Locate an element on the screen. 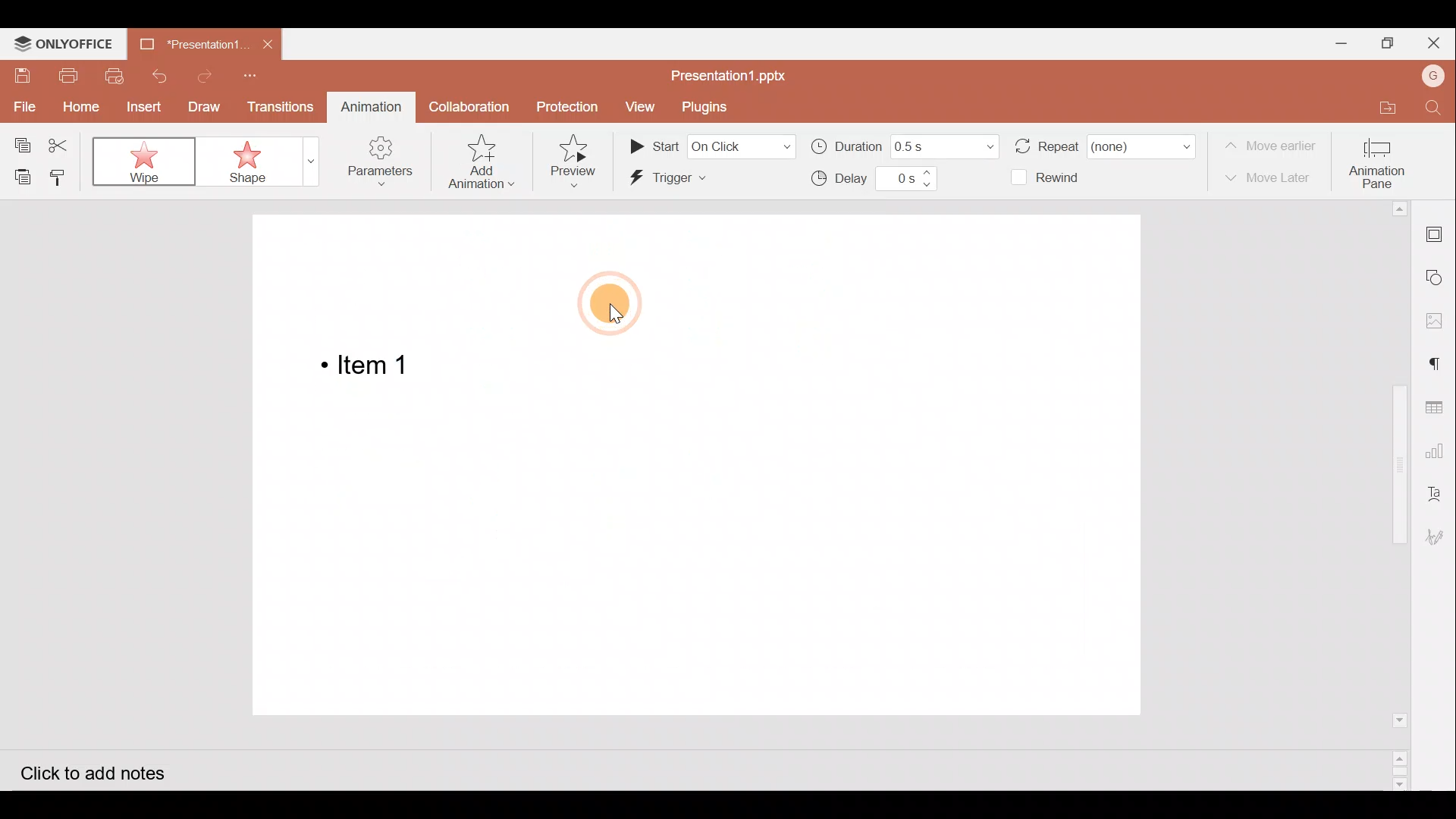  Home is located at coordinates (73, 104).